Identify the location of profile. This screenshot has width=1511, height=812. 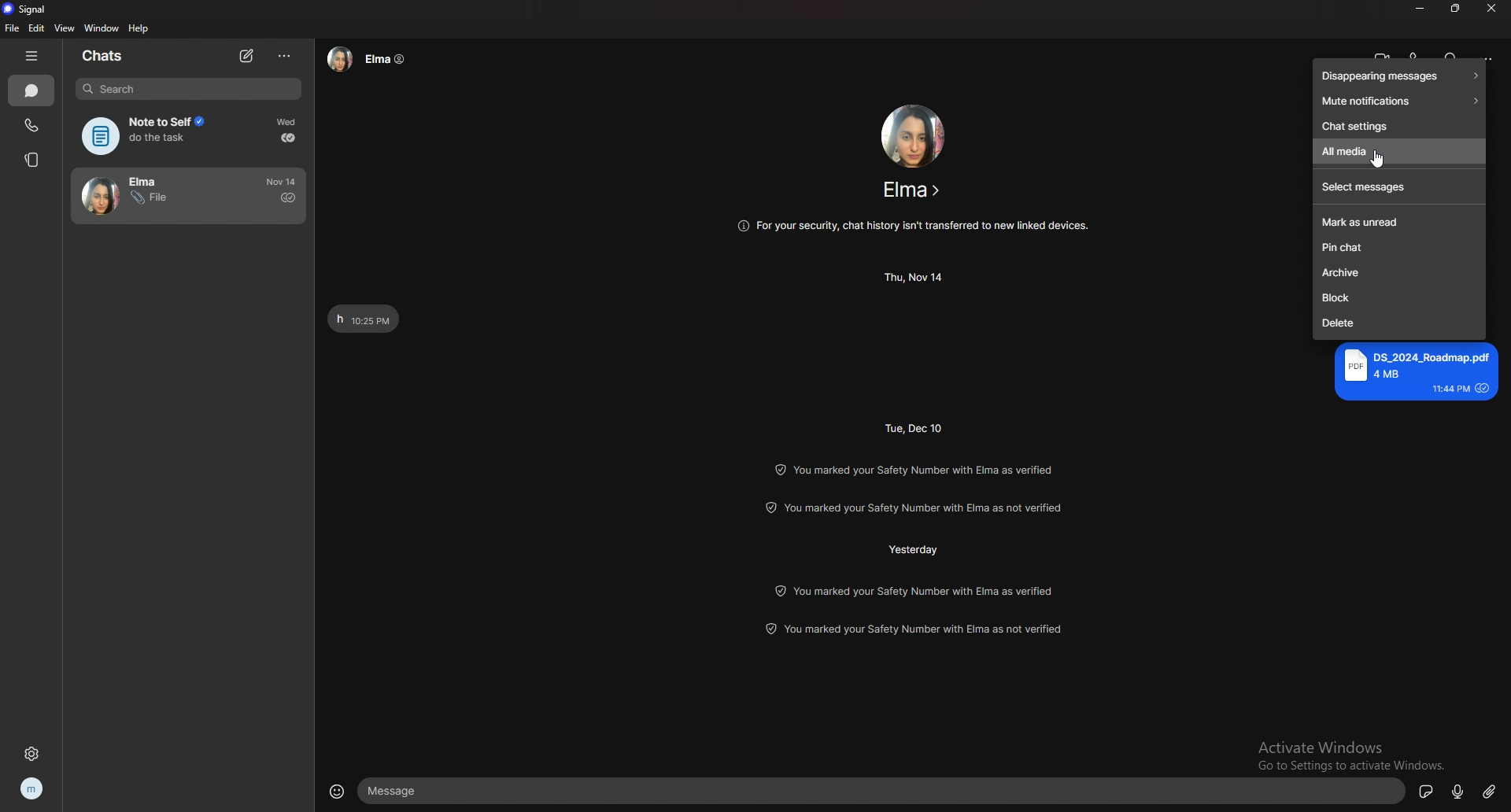
(33, 789).